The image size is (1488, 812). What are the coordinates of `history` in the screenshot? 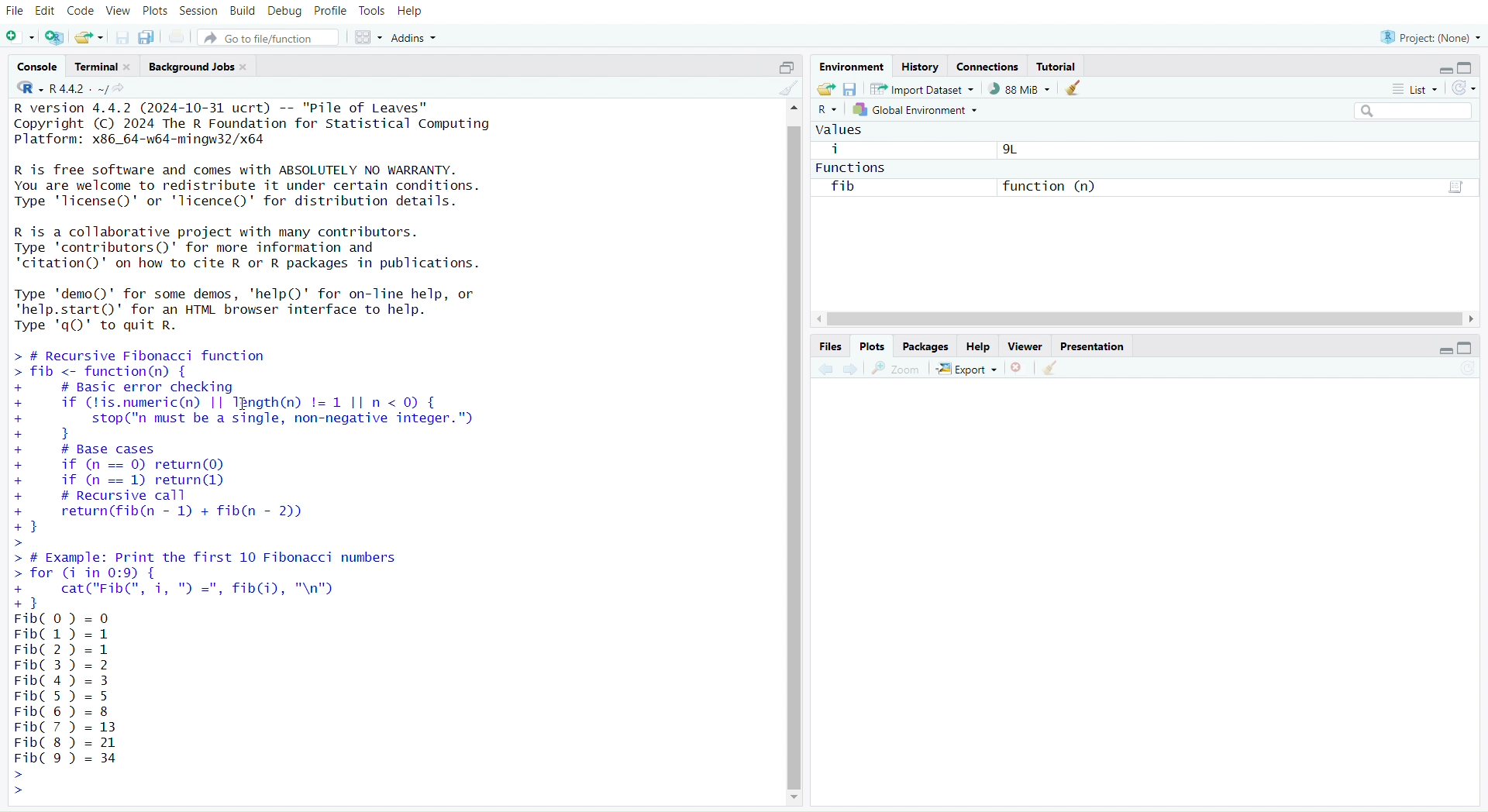 It's located at (919, 68).